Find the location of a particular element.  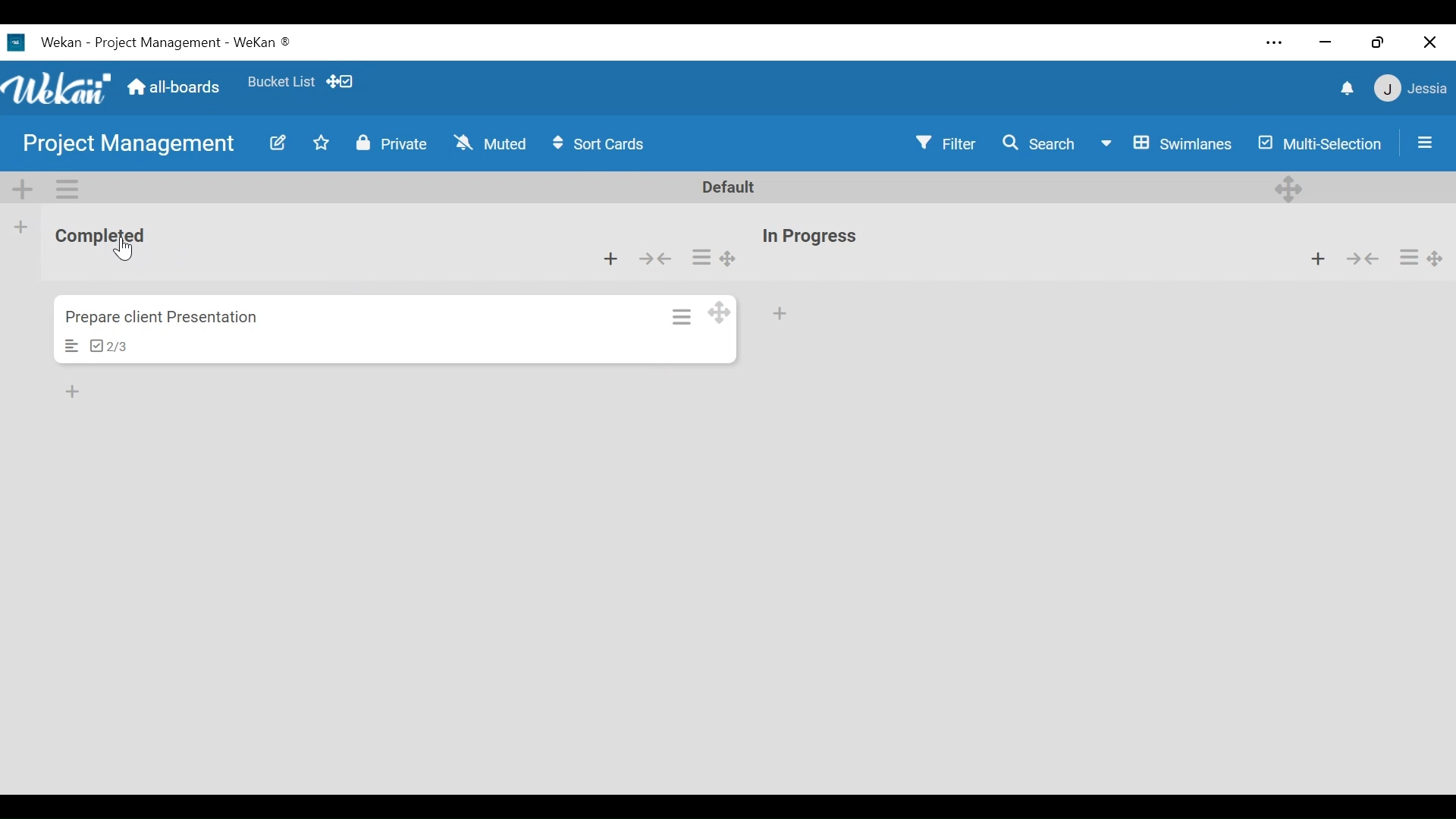

Sidebar is located at coordinates (1425, 142).